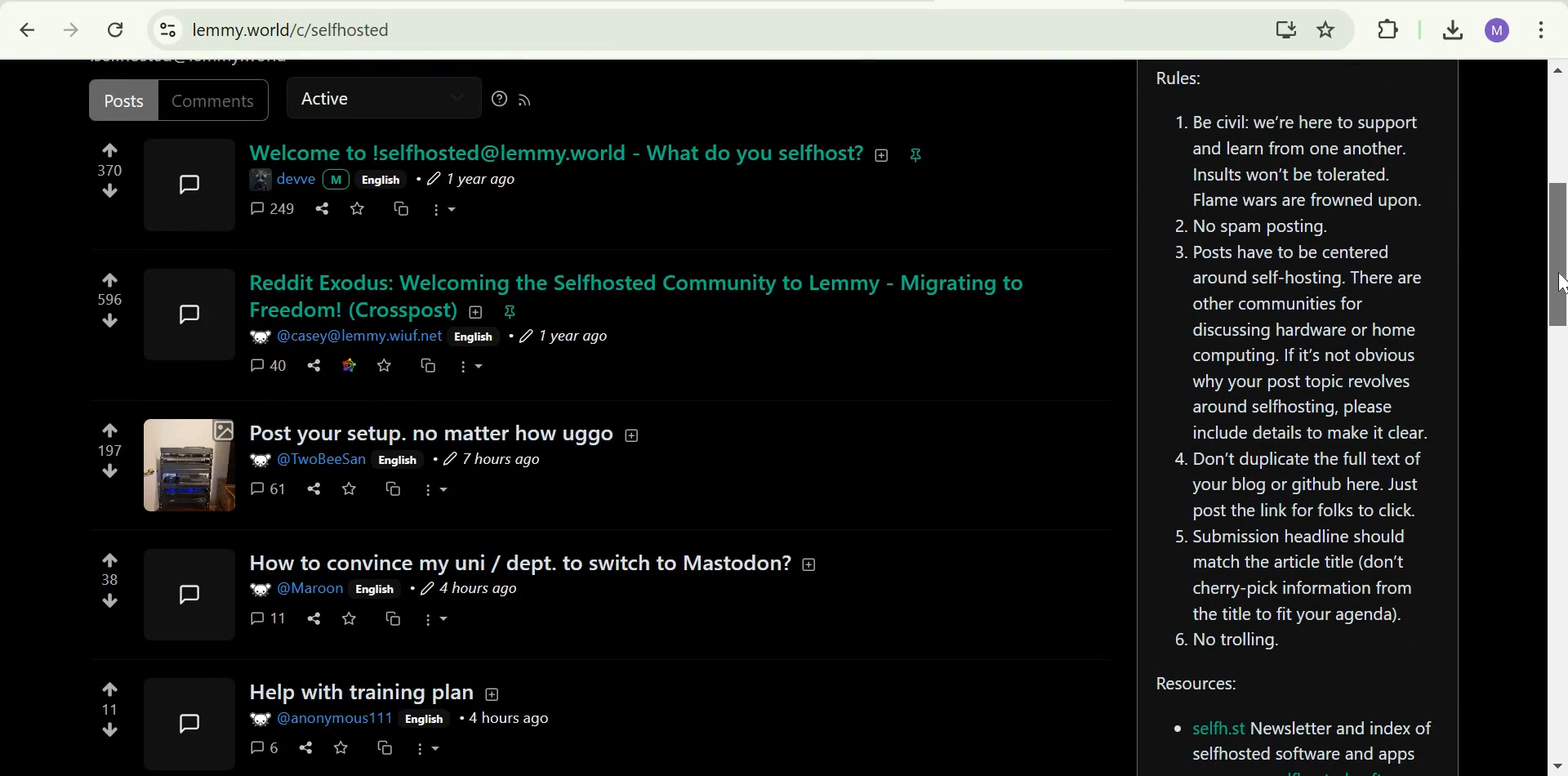 Image resolution: width=1568 pixels, height=776 pixels. Describe the element at coordinates (268, 618) in the screenshot. I see `11 comments` at that location.